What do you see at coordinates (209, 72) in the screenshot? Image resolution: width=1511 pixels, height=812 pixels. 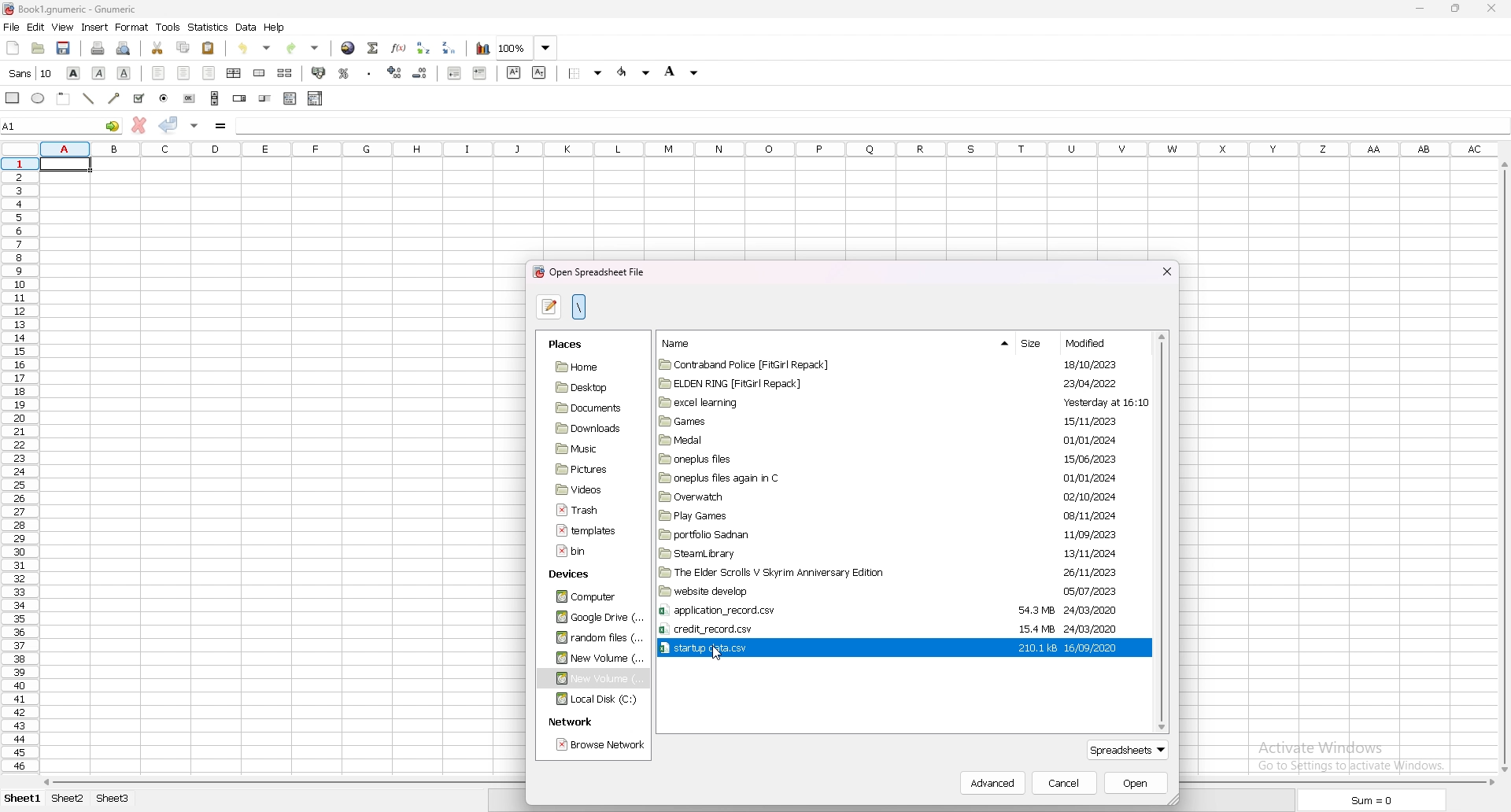 I see `right align` at bounding box center [209, 72].